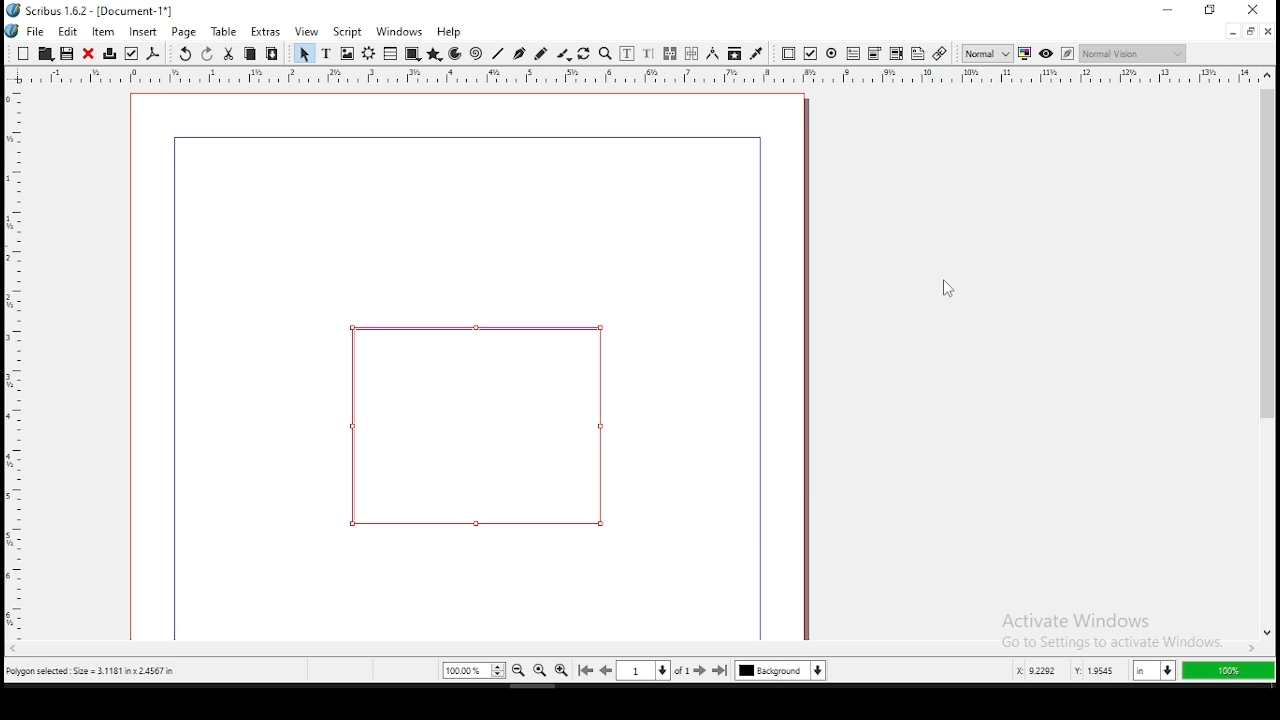 Image resolution: width=1280 pixels, height=720 pixels. Describe the element at coordinates (1044, 53) in the screenshot. I see `preview mode` at that location.